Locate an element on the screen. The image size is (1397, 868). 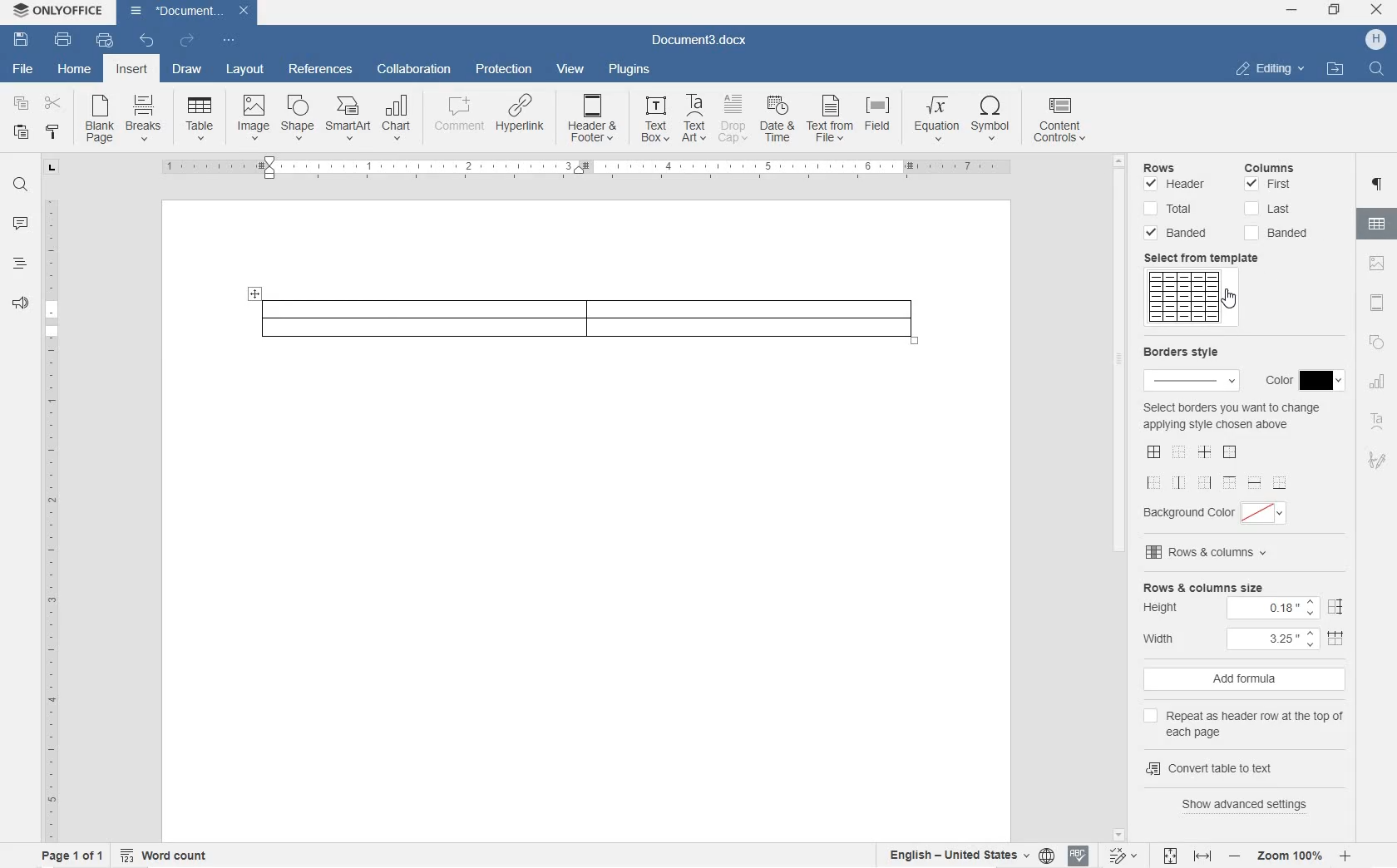
Header is located at coordinates (1179, 185).